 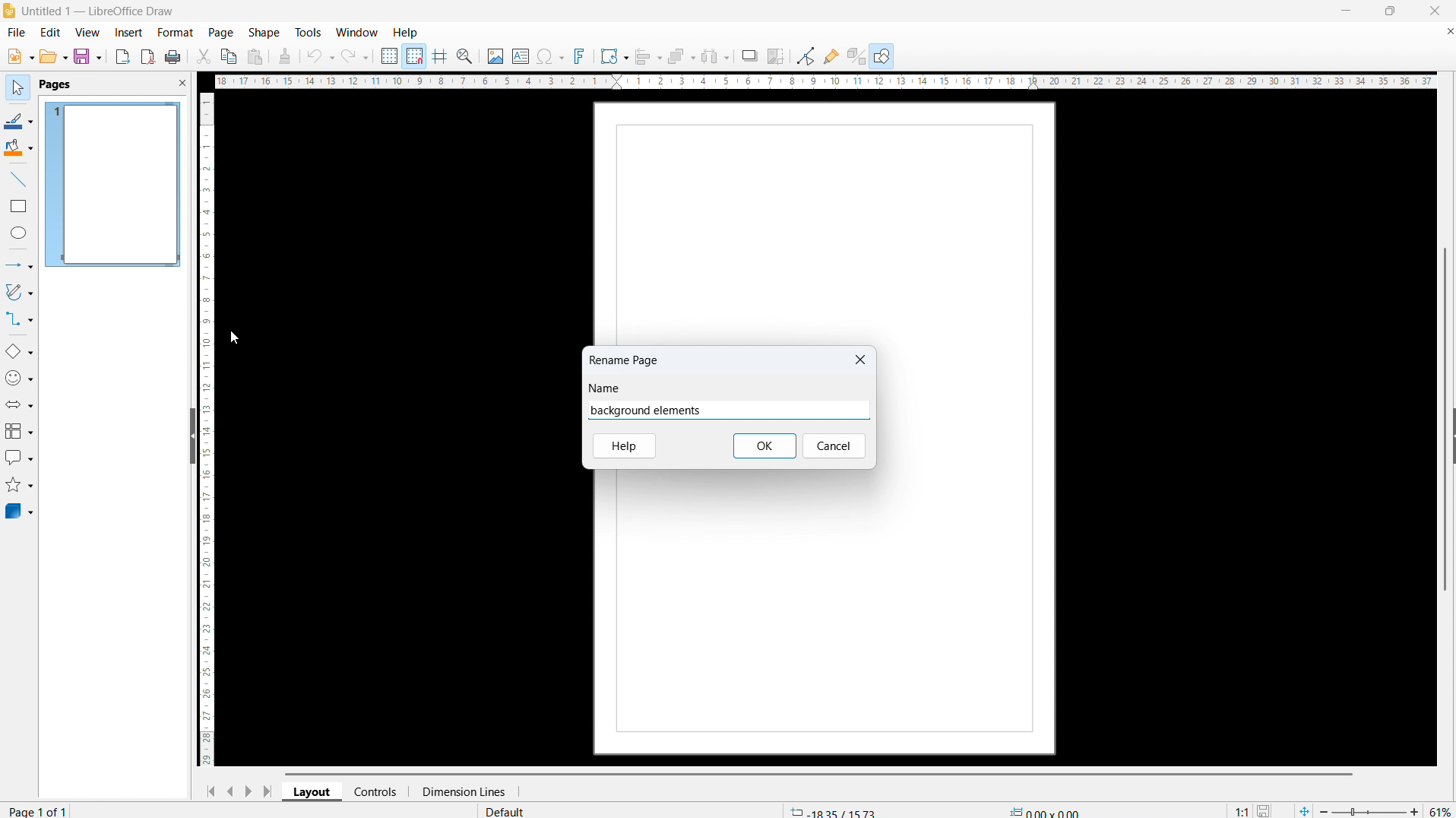 What do you see at coordinates (209, 791) in the screenshot?
I see `go to first page` at bounding box center [209, 791].